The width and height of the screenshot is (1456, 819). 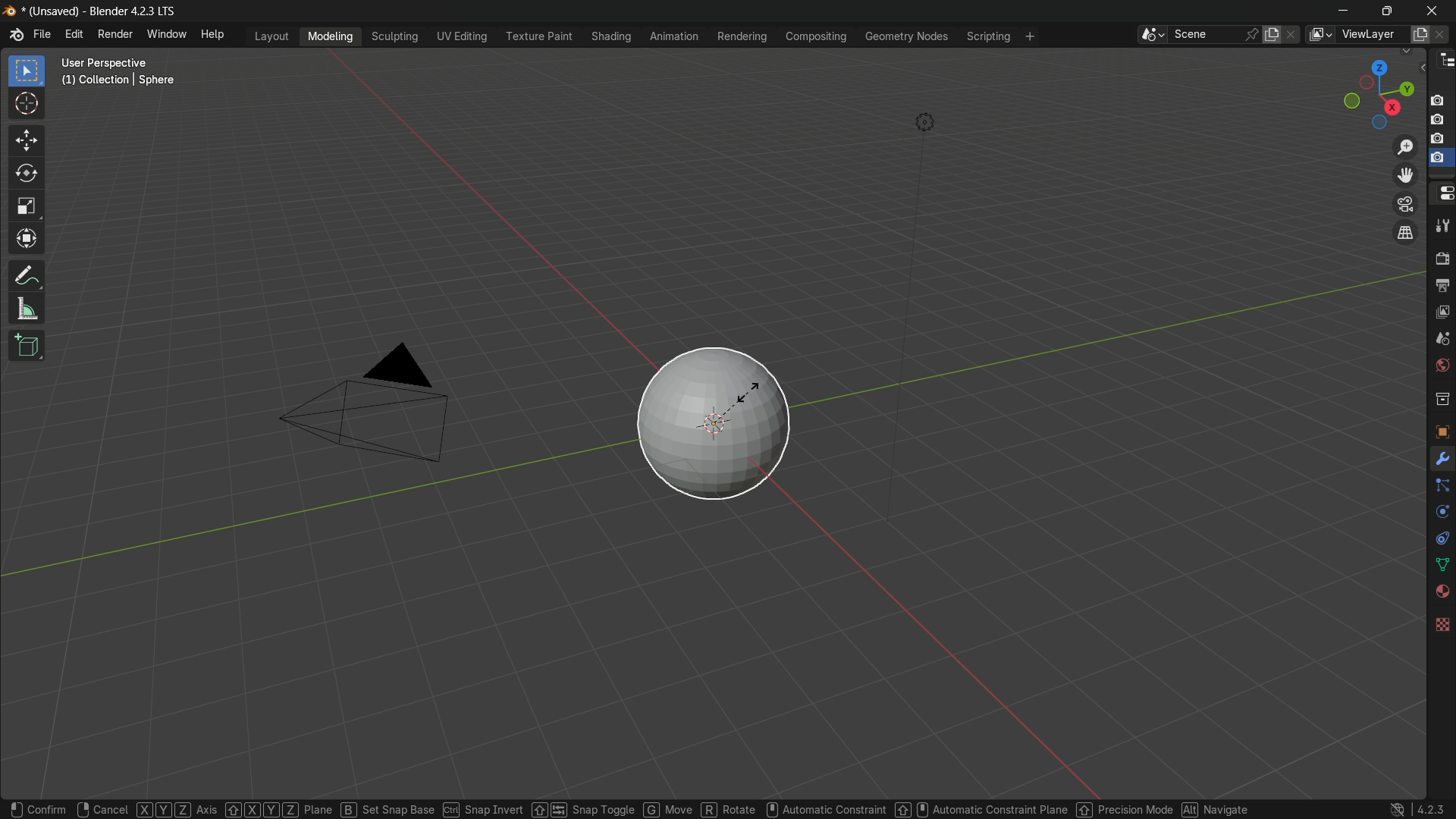 What do you see at coordinates (27, 240) in the screenshot?
I see `transform` at bounding box center [27, 240].